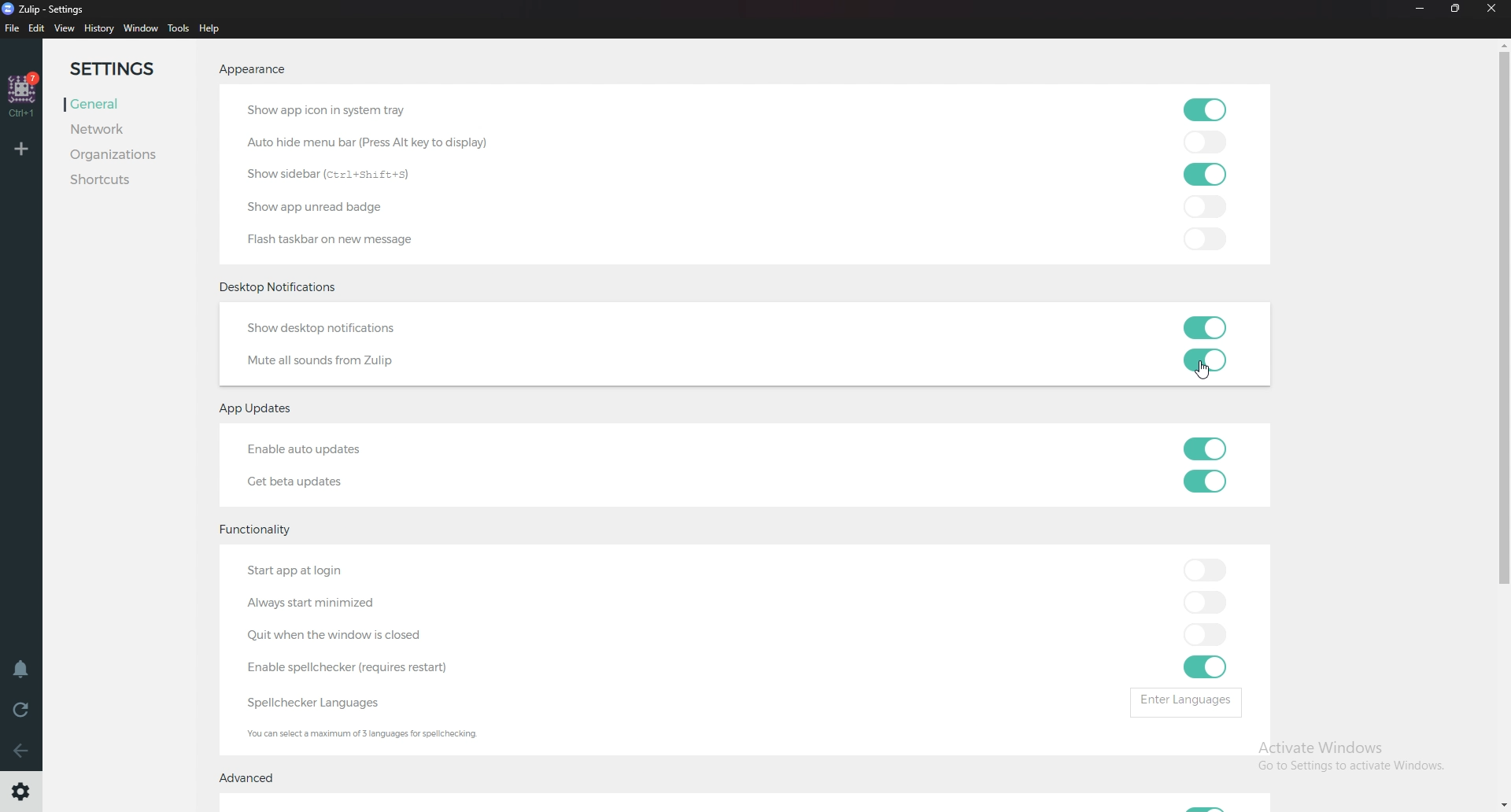  Describe the element at coordinates (264, 411) in the screenshot. I see `App updates` at that location.